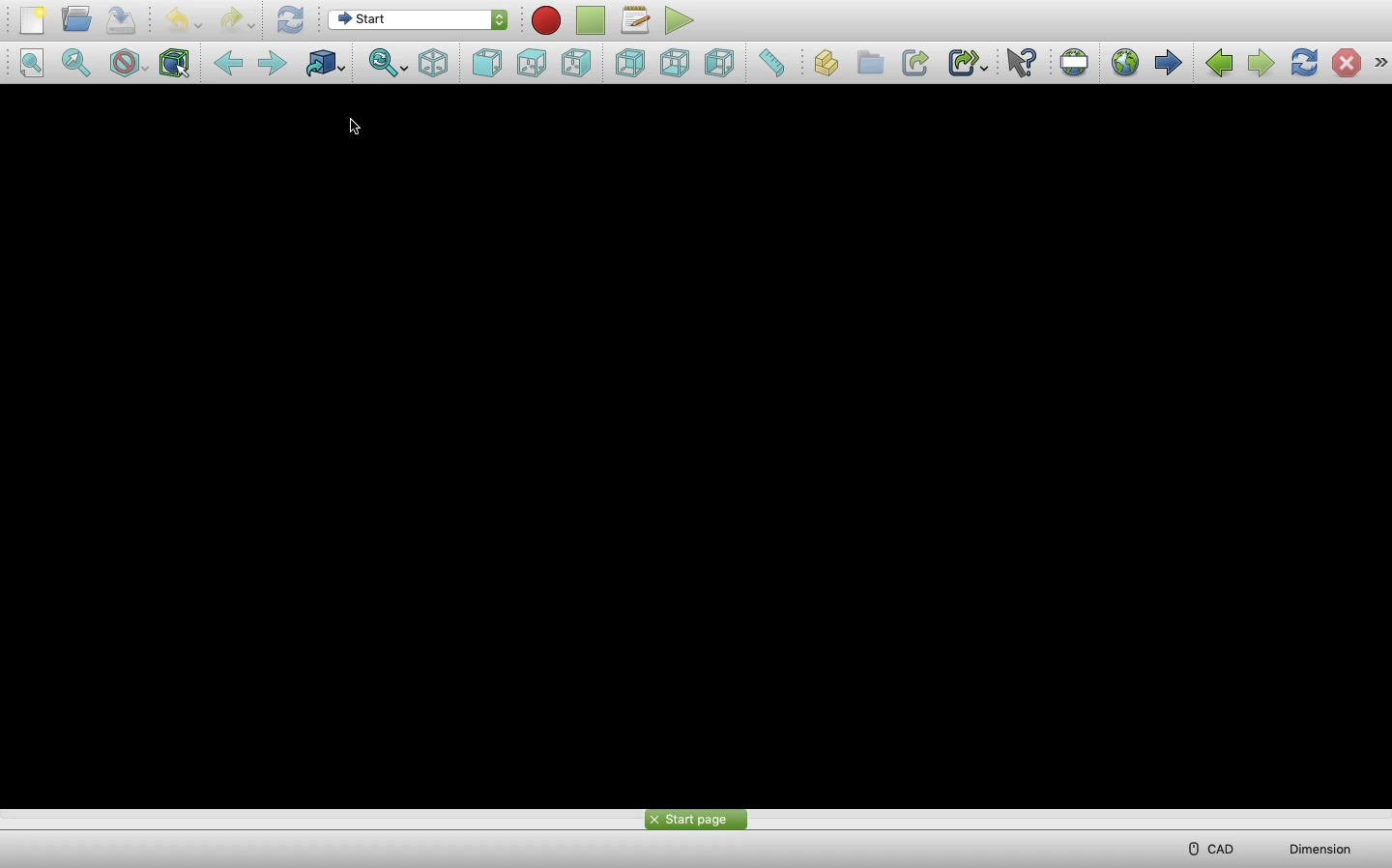 The width and height of the screenshot is (1392, 868). Describe the element at coordinates (76, 19) in the screenshot. I see `Open` at that location.